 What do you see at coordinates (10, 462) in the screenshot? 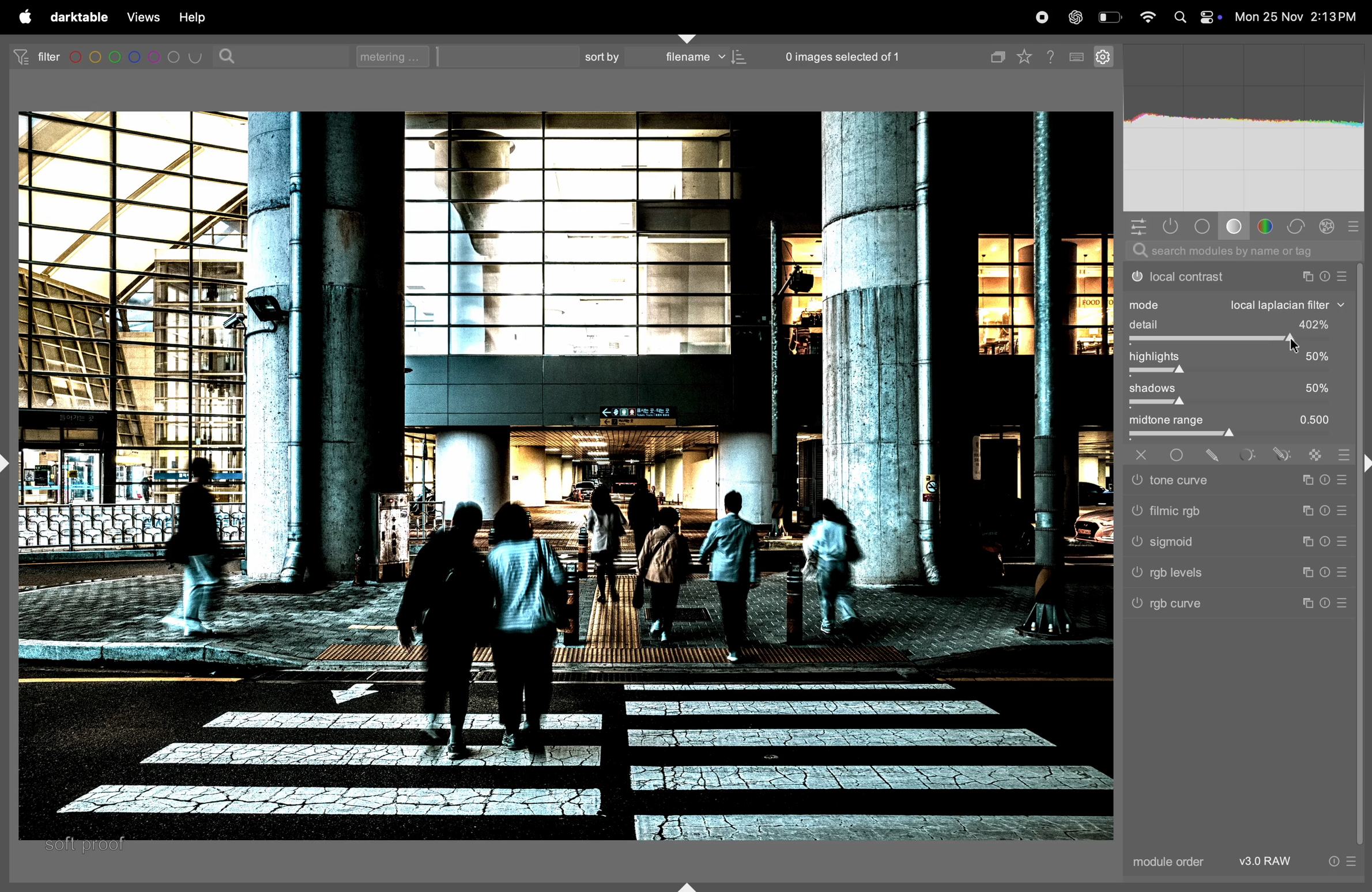
I see `shift+ctrl+l` at bounding box center [10, 462].